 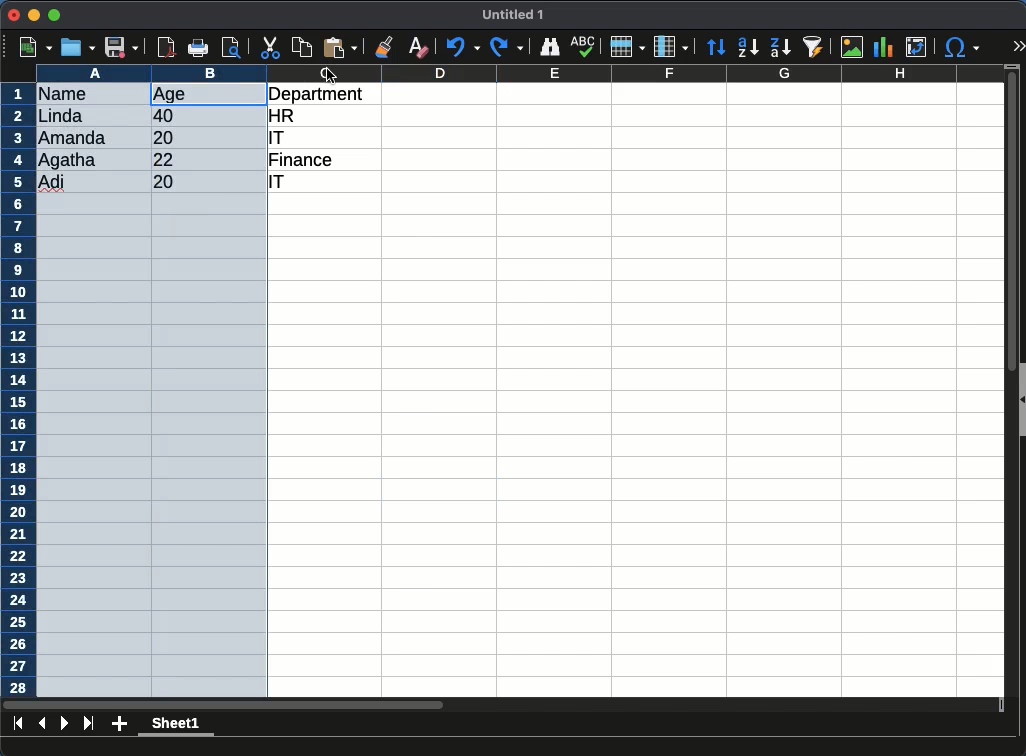 What do you see at coordinates (340, 47) in the screenshot?
I see `paste` at bounding box center [340, 47].